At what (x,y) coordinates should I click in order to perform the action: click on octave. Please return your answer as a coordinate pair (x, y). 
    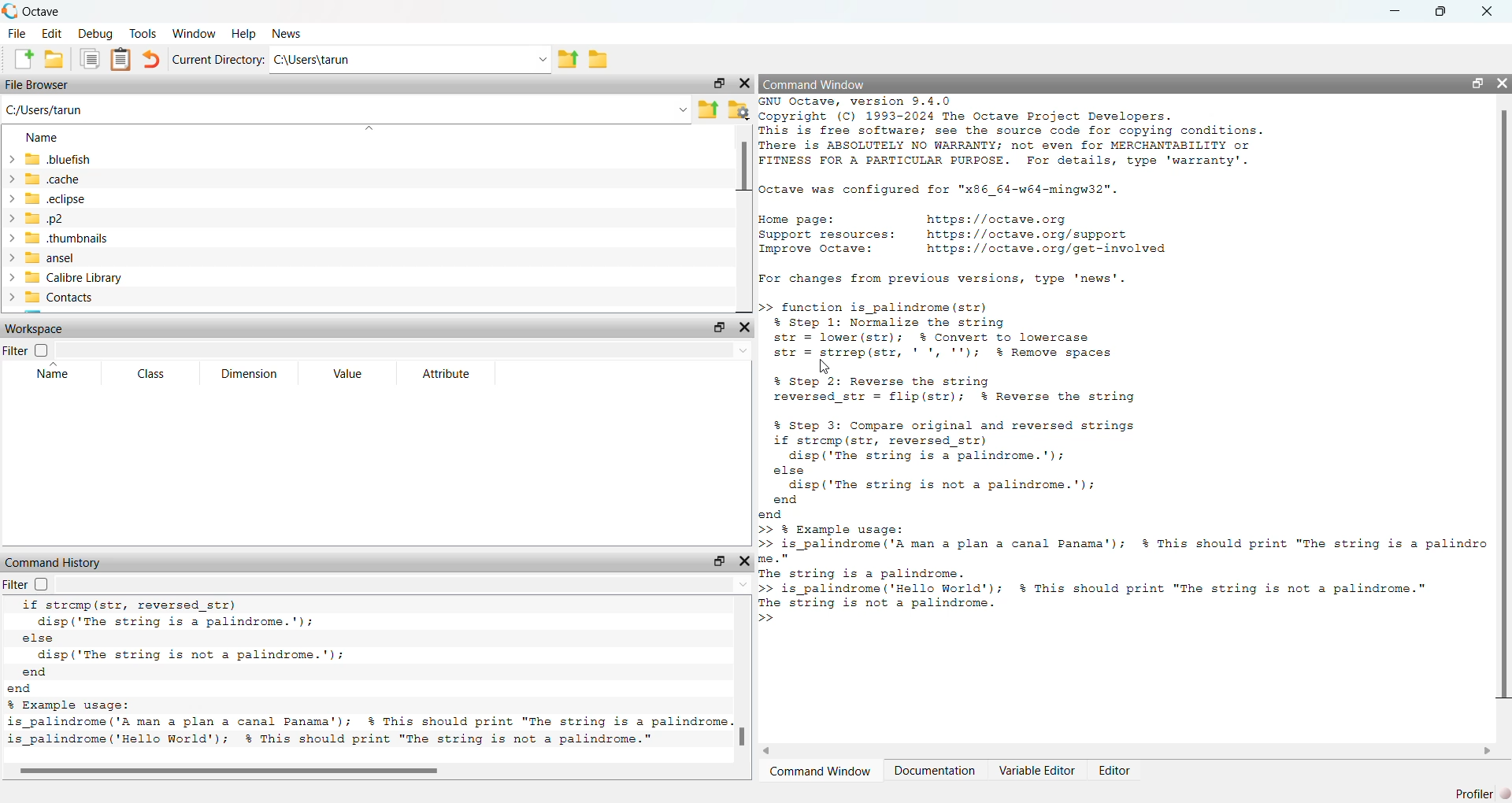
    Looking at the image, I should click on (50, 9).